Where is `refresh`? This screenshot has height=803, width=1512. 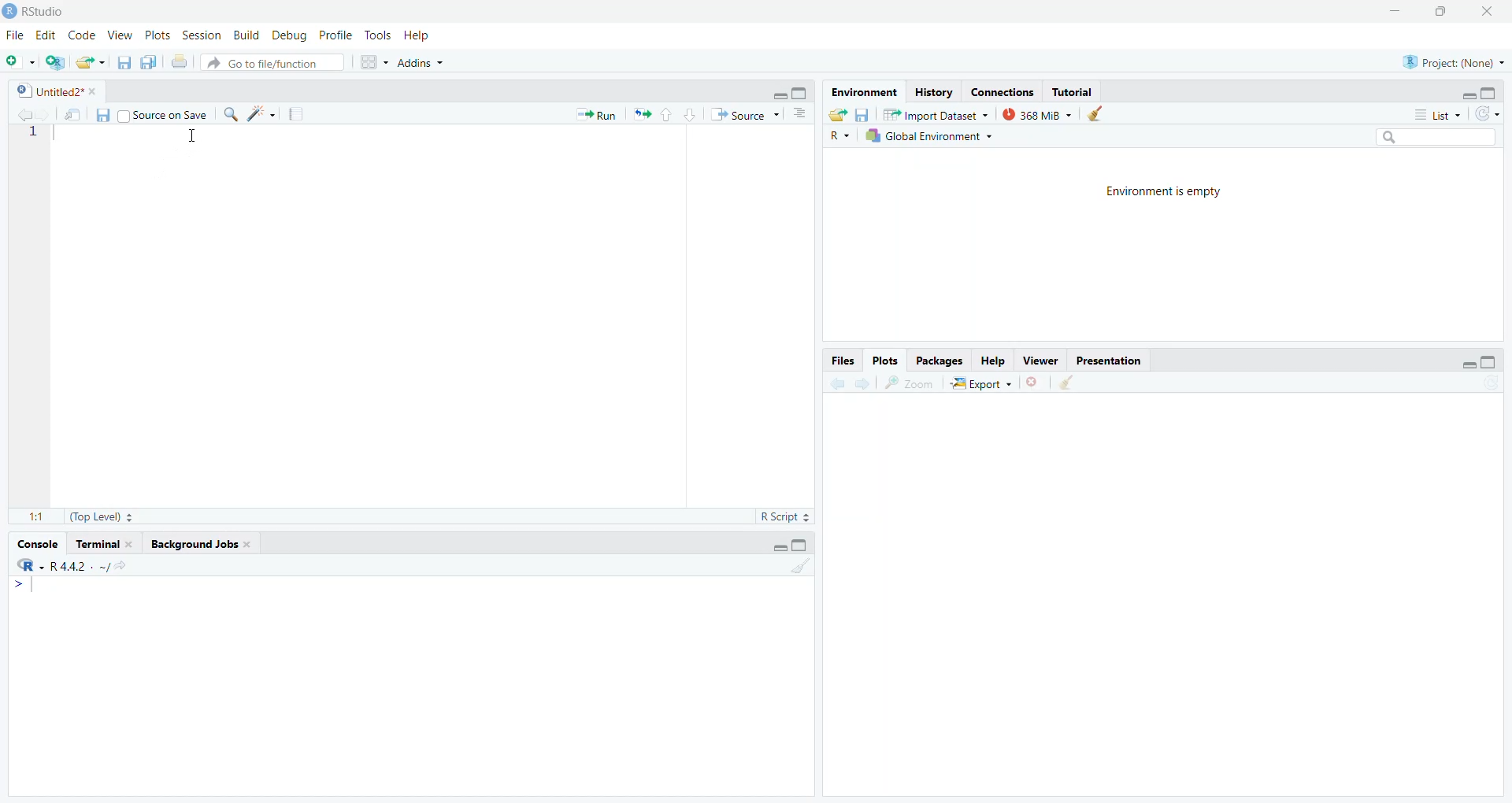
refresh is located at coordinates (1491, 117).